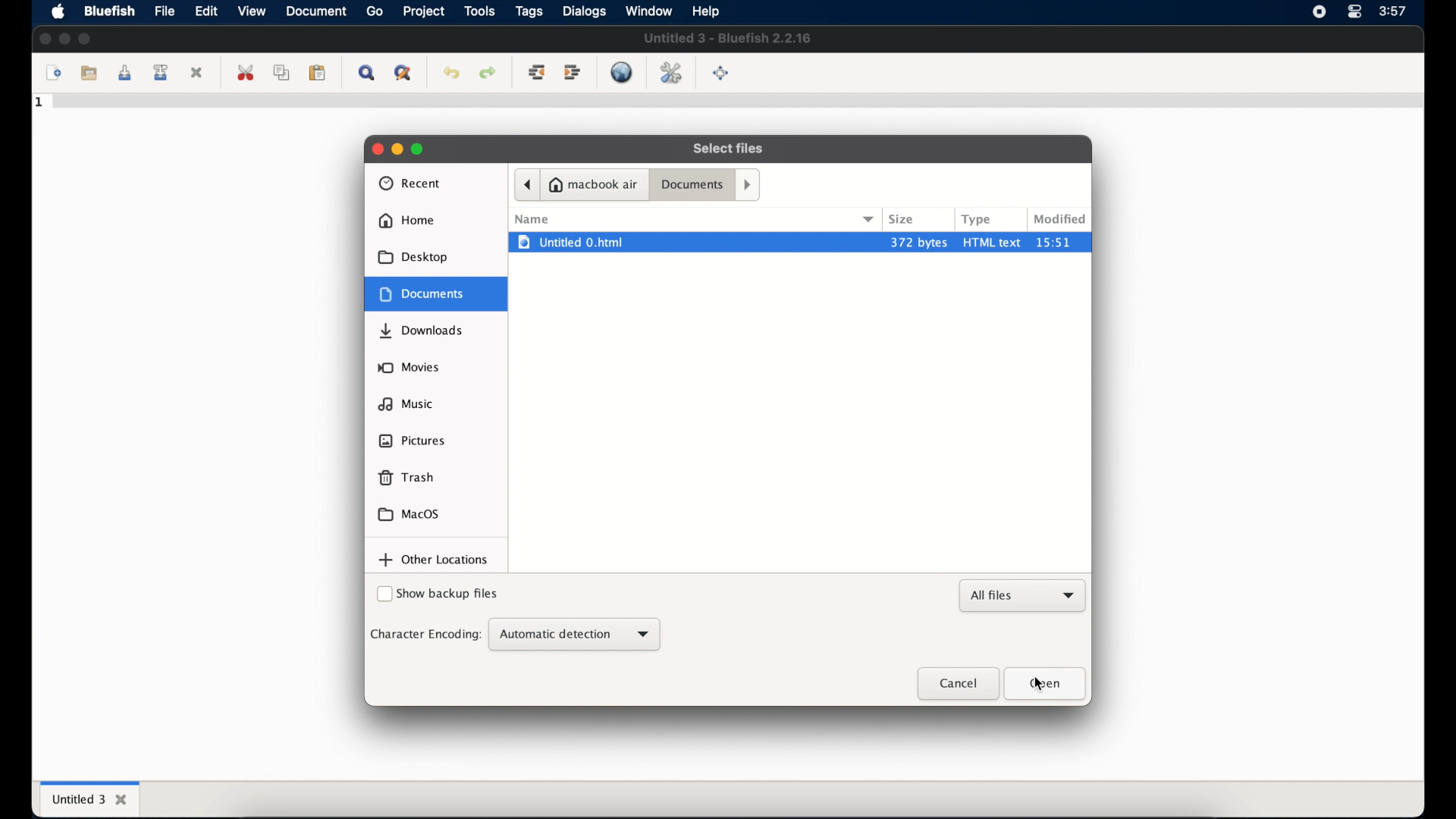 This screenshot has width=1456, height=819. Describe the element at coordinates (670, 72) in the screenshot. I see `edit preferences` at that location.